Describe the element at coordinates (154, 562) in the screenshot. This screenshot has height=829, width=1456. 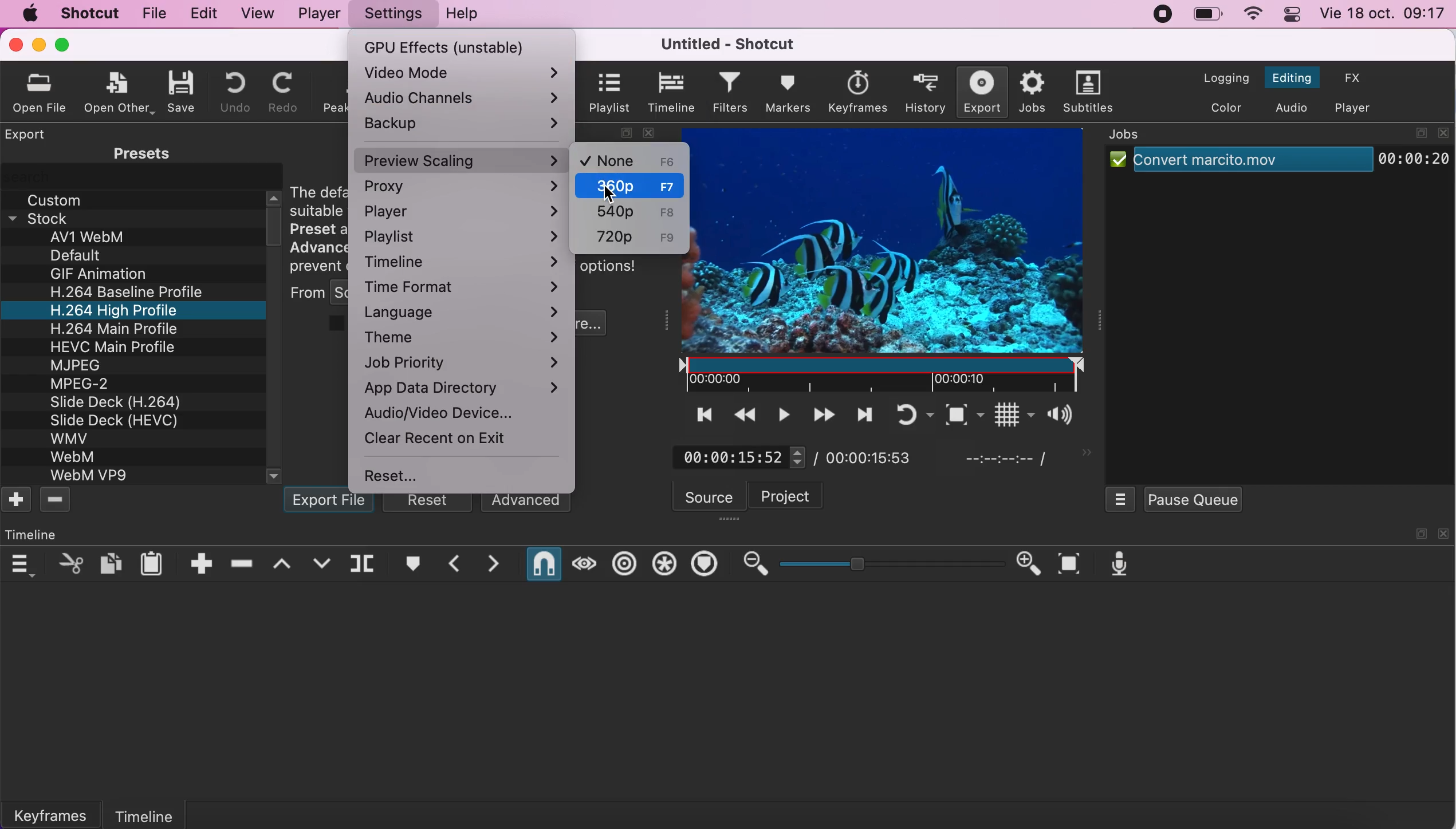
I see `paste` at that location.